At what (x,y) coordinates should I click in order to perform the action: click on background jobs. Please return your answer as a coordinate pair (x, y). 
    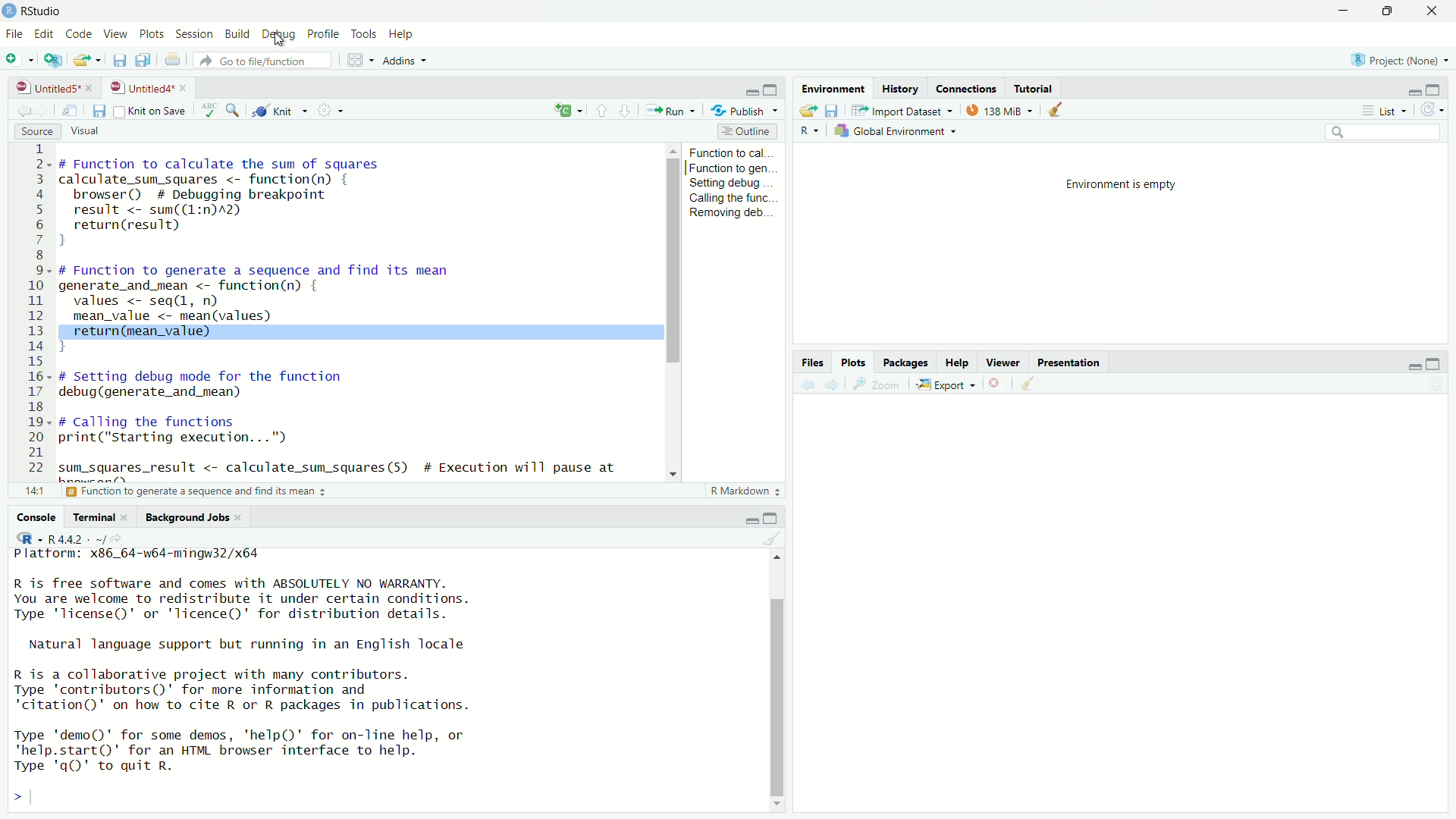
    Looking at the image, I should click on (187, 516).